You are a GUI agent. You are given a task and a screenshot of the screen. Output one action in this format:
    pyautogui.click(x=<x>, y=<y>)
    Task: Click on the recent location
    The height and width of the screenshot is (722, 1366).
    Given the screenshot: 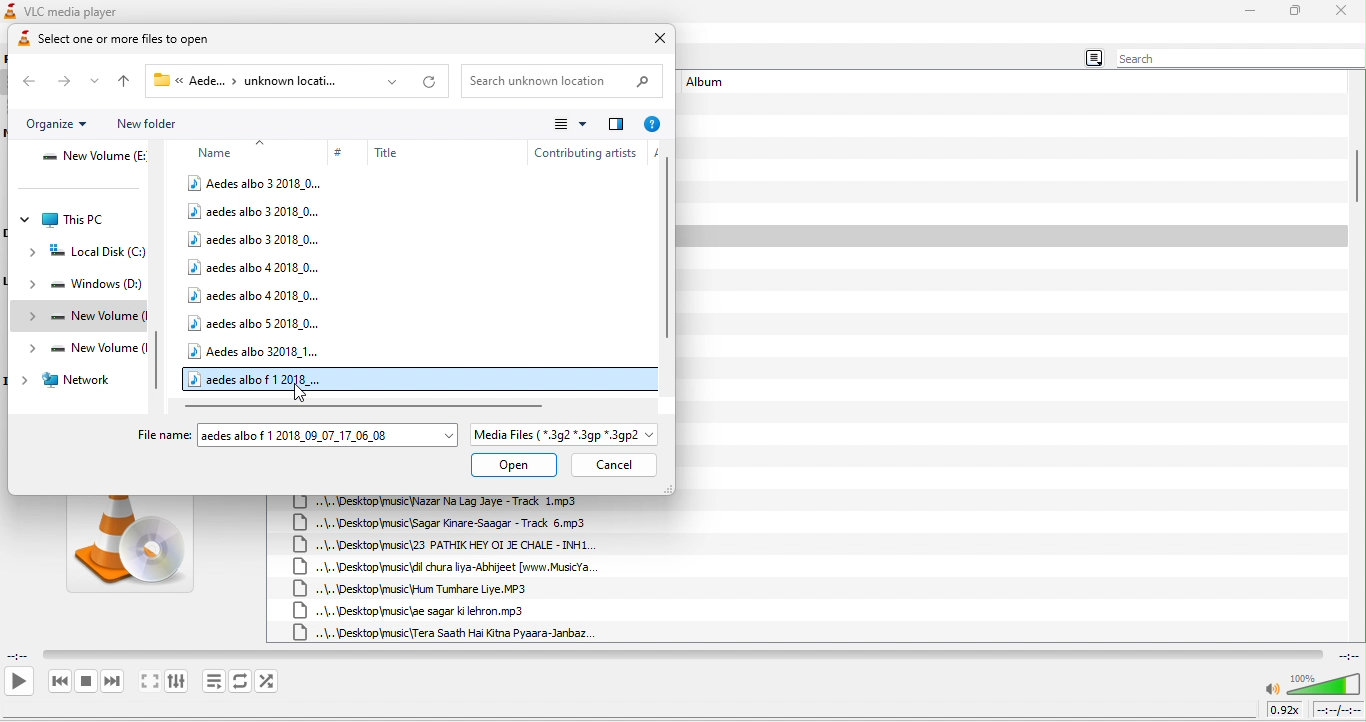 What is the action you would take?
    pyautogui.click(x=100, y=83)
    